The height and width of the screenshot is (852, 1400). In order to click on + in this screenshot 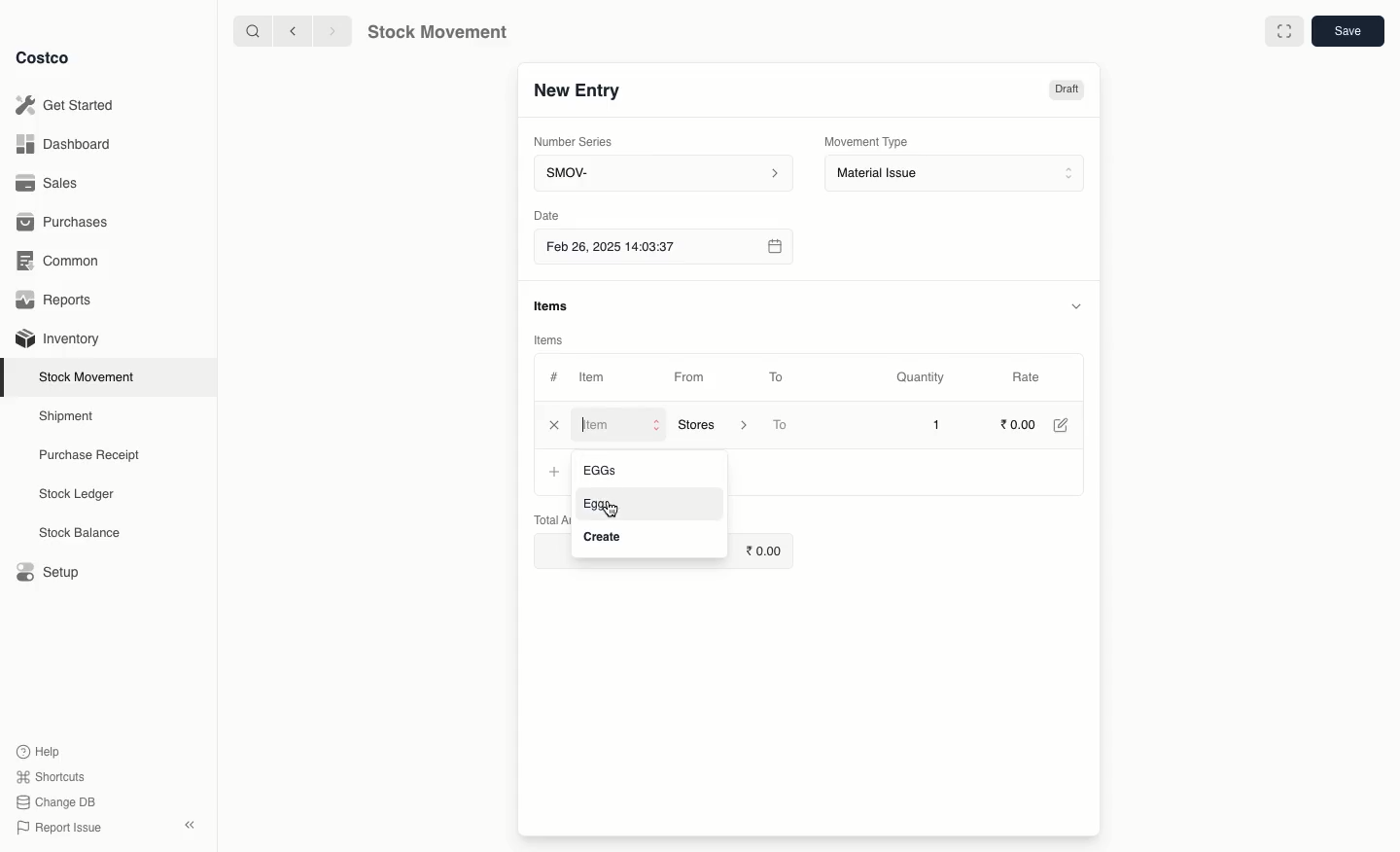, I will do `click(553, 471)`.